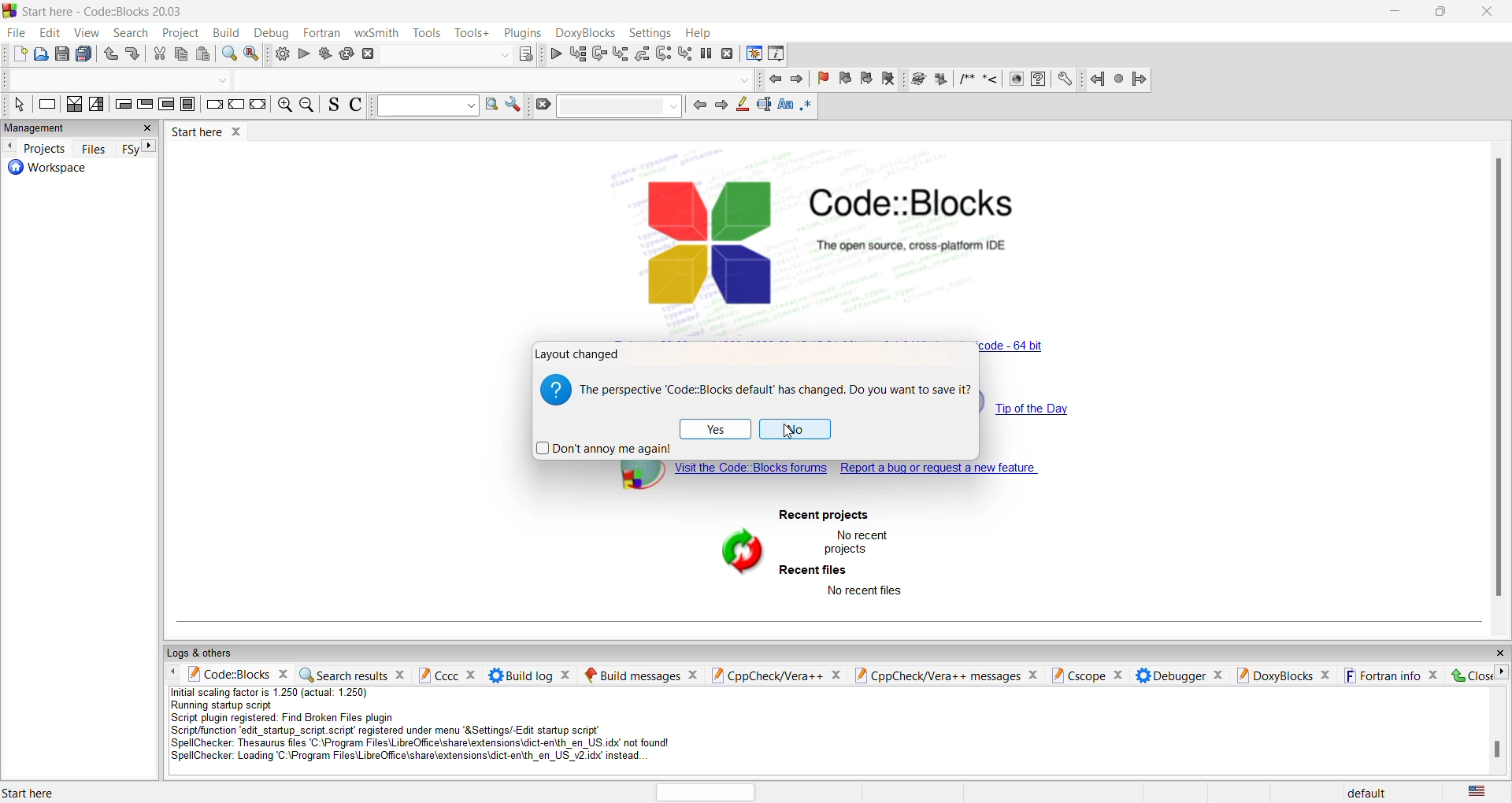 This screenshot has height=803, width=1512. Describe the element at coordinates (765, 104) in the screenshot. I see `selected text` at that location.